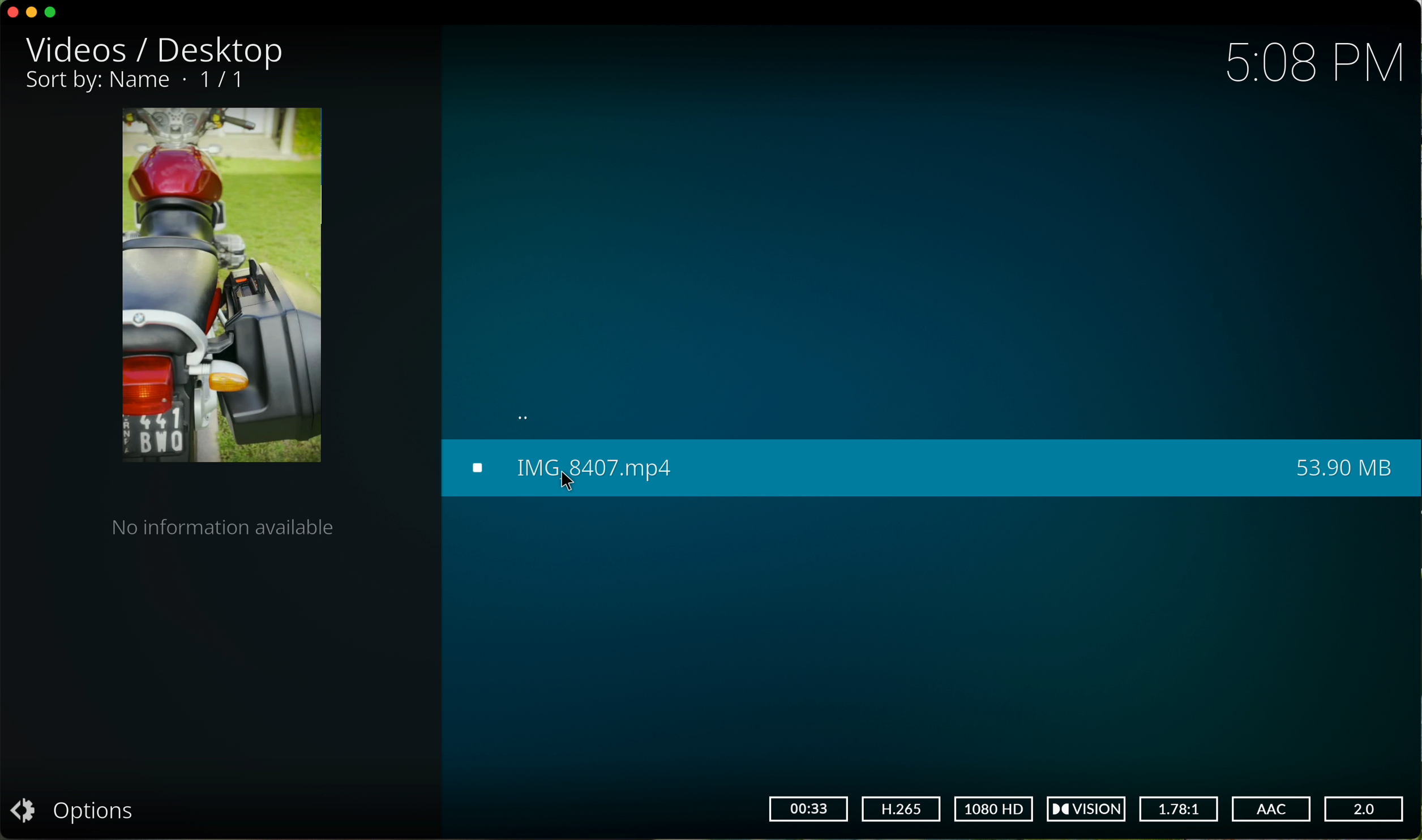  What do you see at coordinates (1180, 808) in the screenshot?
I see `1.78:1` at bounding box center [1180, 808].